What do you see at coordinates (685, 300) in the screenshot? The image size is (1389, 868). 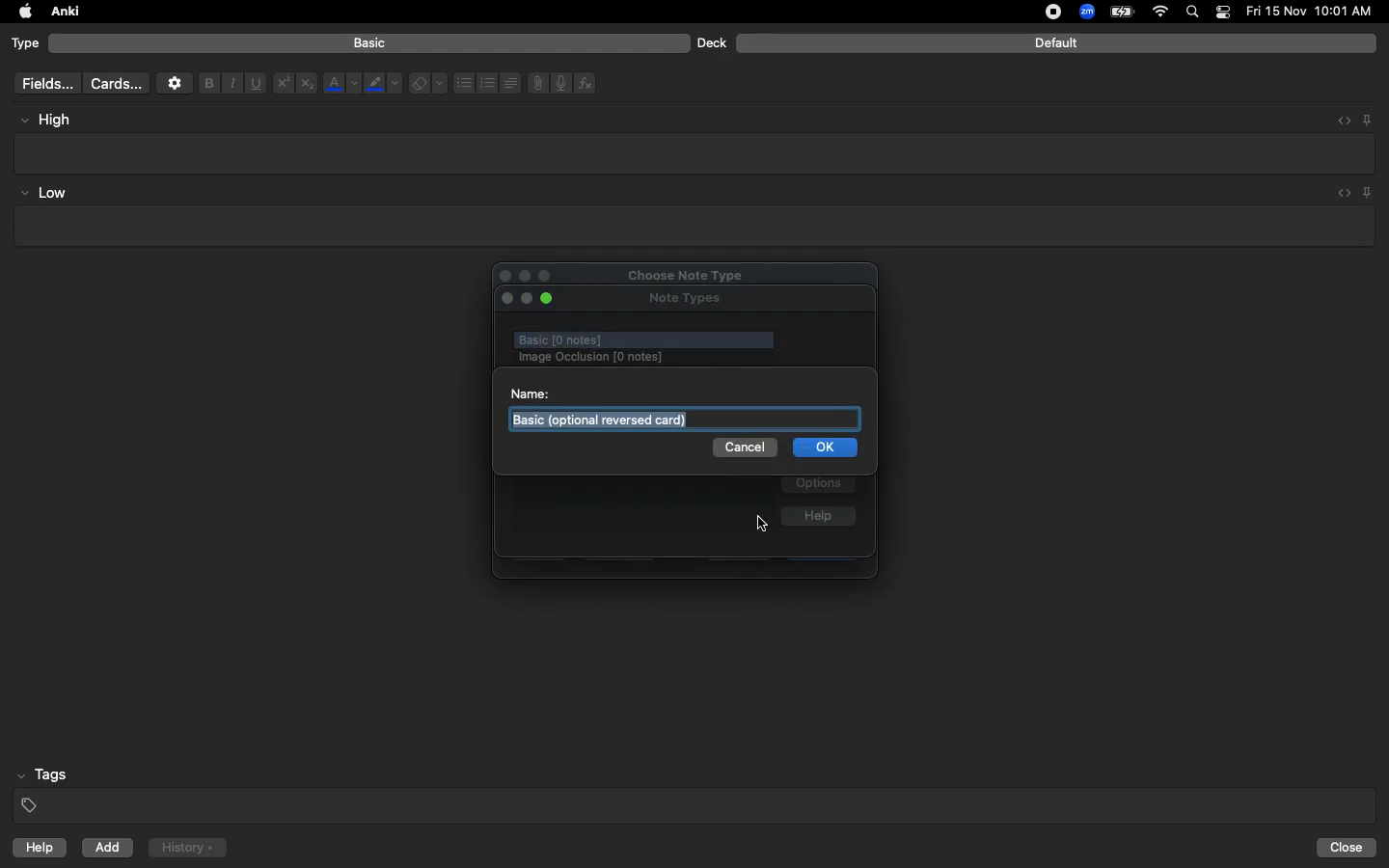 I see `Note Types` at bounding box center [685, 300].